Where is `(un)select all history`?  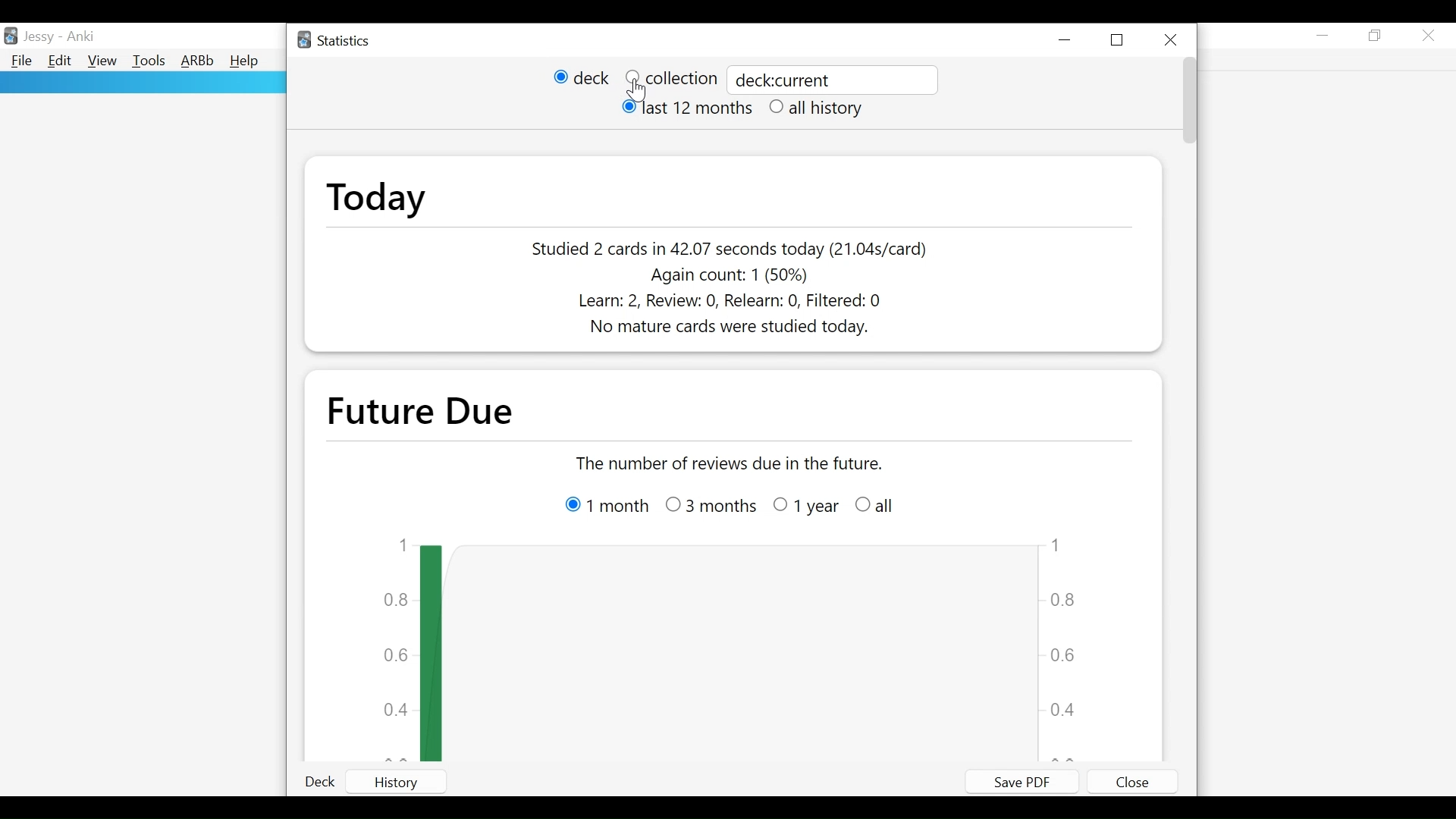 (un)select all history is located at coordinates (817, 108).